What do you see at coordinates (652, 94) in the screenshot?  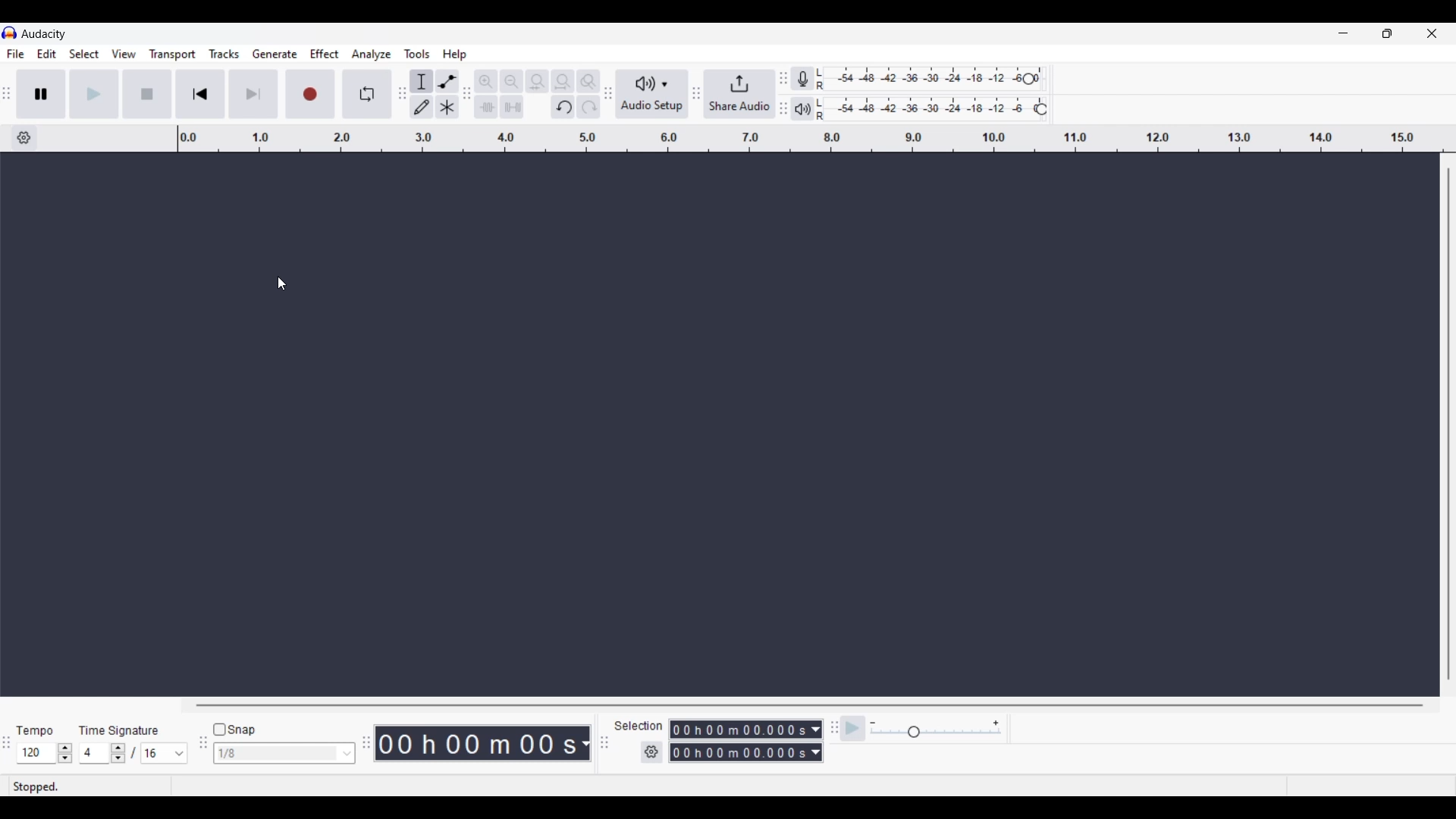 I see `Audio setup` at bounding box center [652, 94].